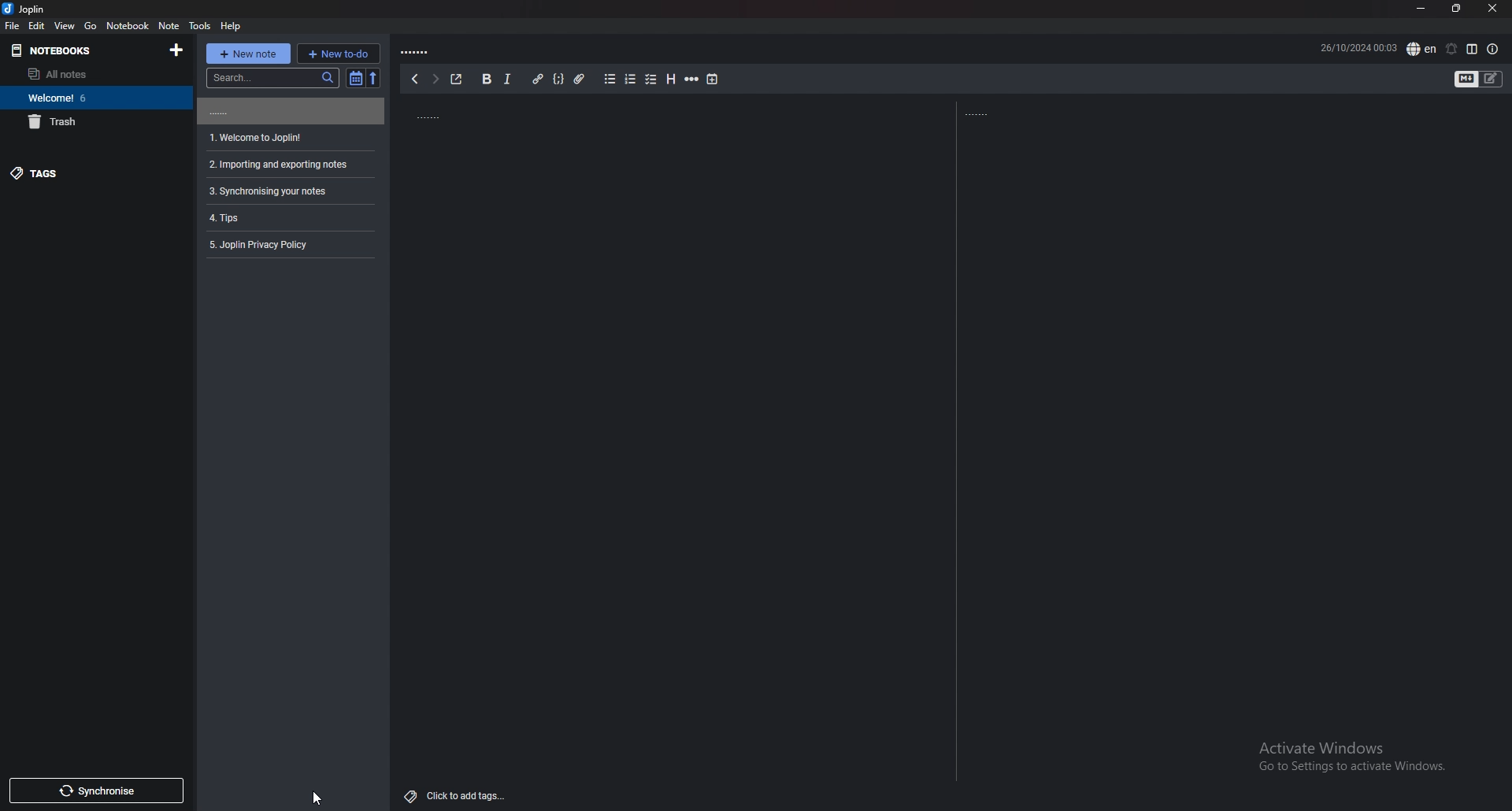 The image size is (1512, 811). I want to click on note, so click(169, 25).